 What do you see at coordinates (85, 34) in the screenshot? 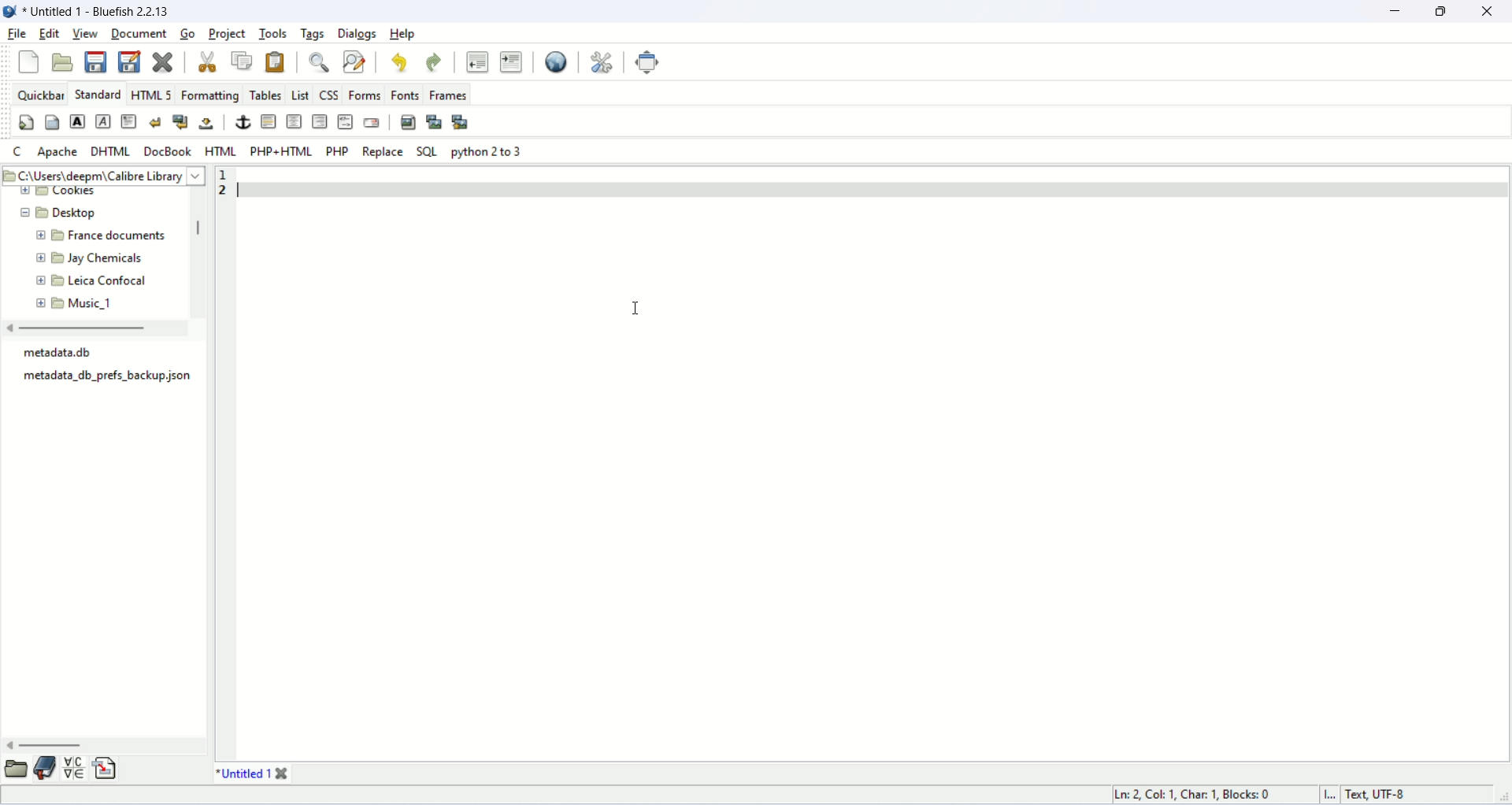
I see `view` at bounding box center [85, 34].